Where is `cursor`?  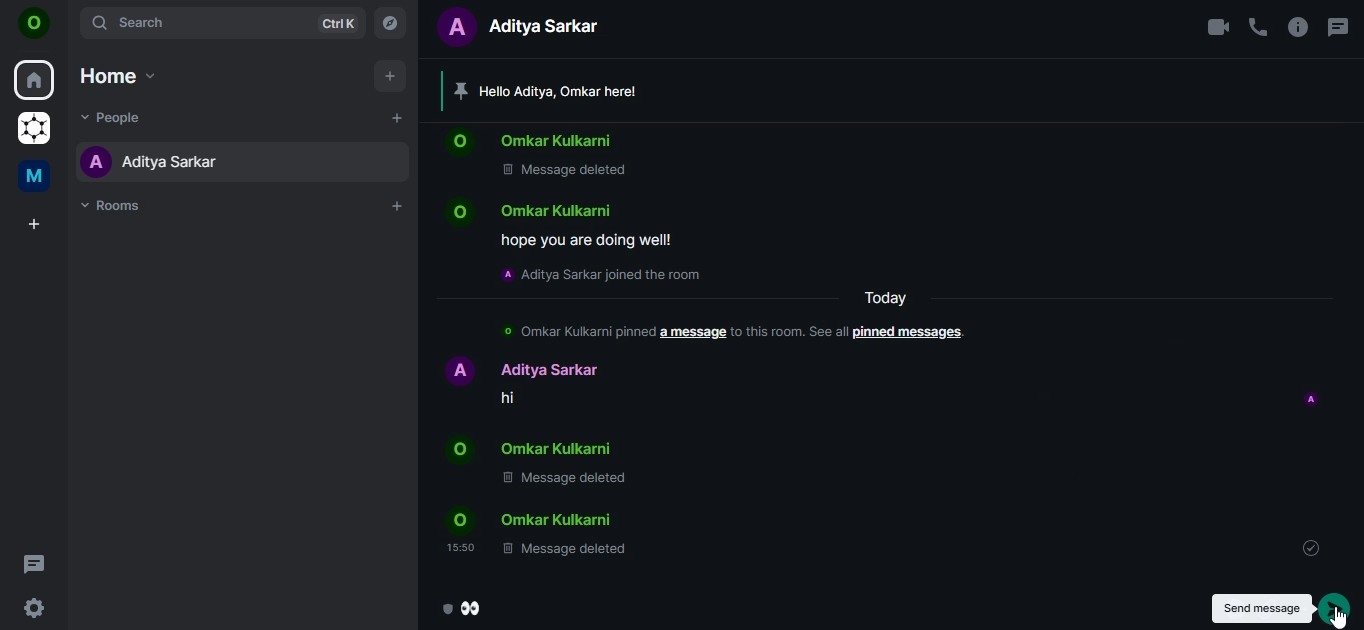 cursor is located at coordinates (1339, 617).